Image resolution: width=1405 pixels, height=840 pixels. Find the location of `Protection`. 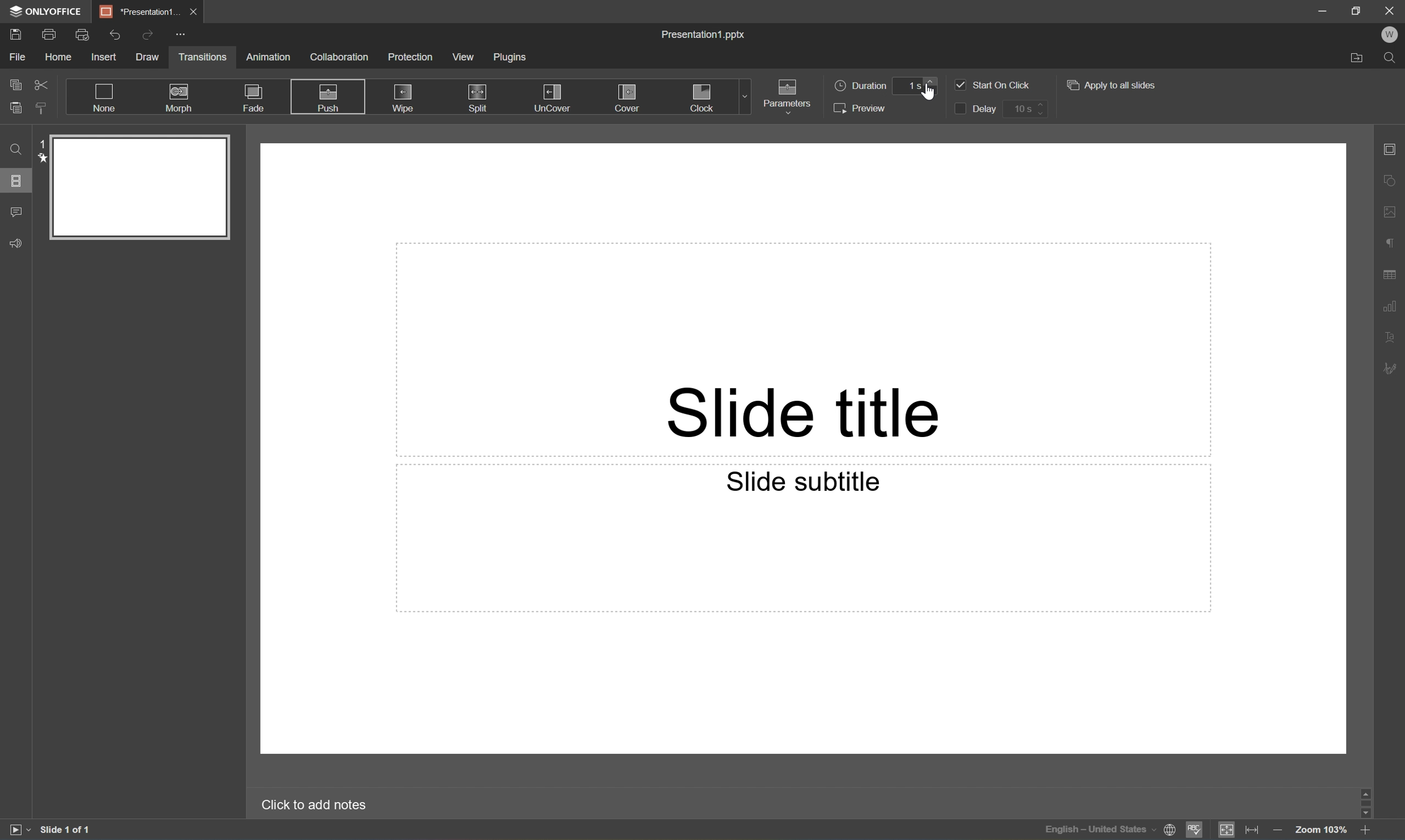

Protection is located at coordinates (409, 57).